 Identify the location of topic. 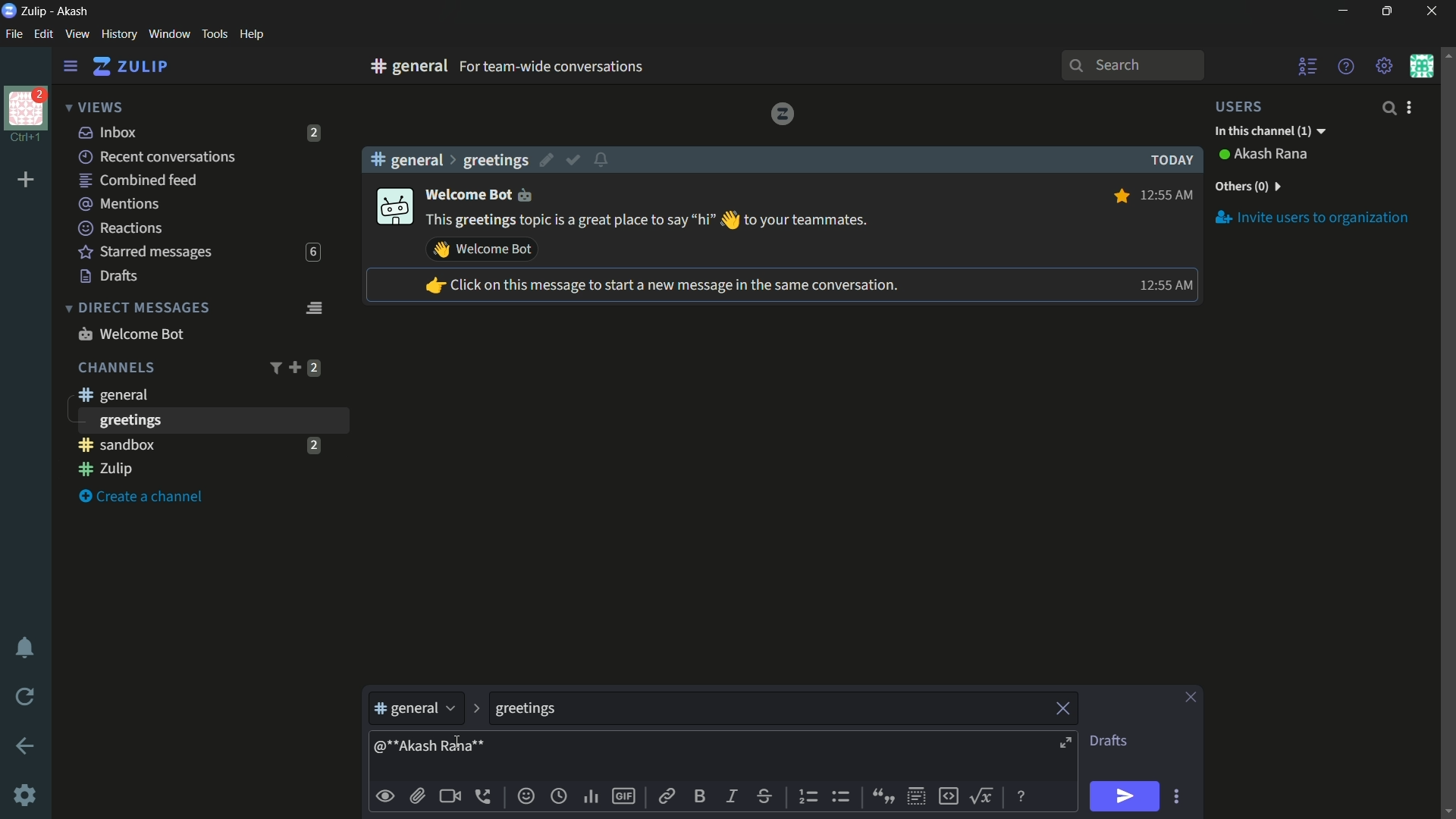
(768, 709).